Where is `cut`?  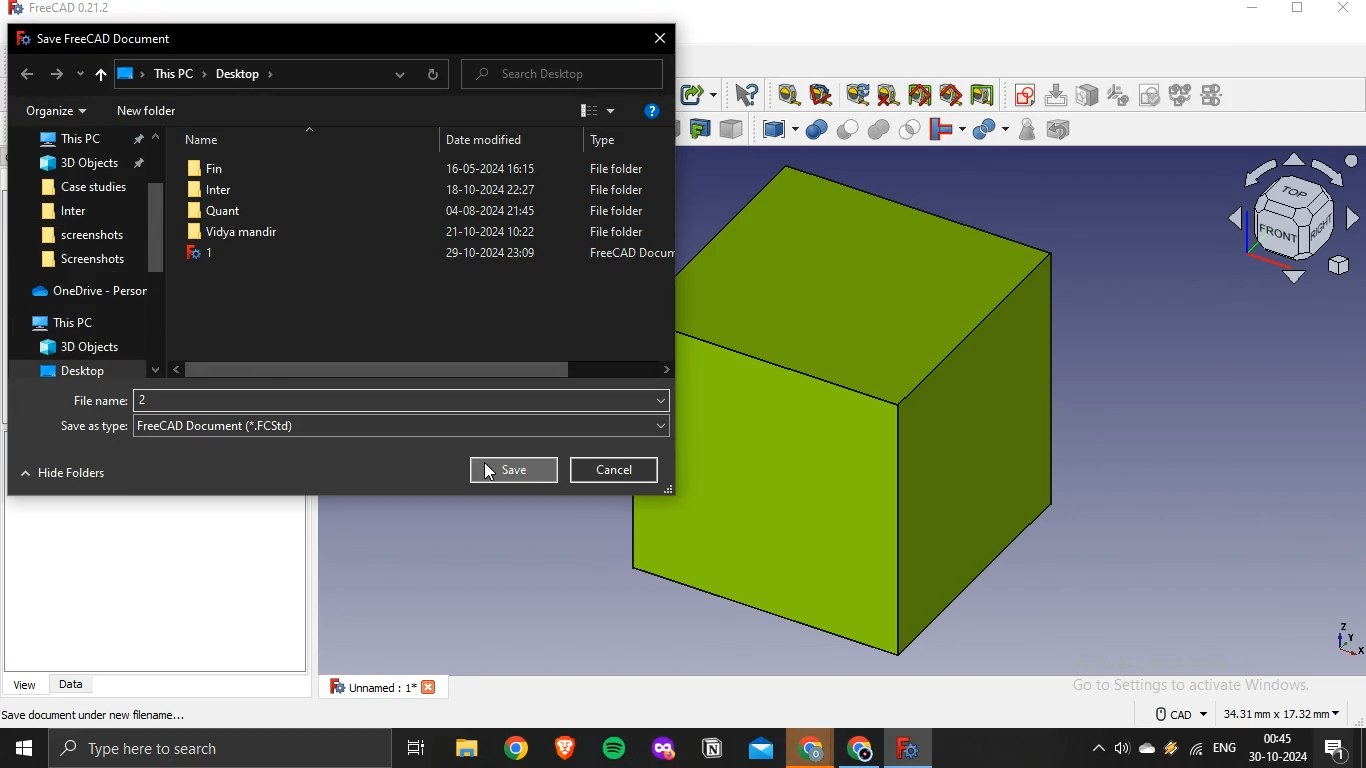
cut is located at coordinates (847, 129).